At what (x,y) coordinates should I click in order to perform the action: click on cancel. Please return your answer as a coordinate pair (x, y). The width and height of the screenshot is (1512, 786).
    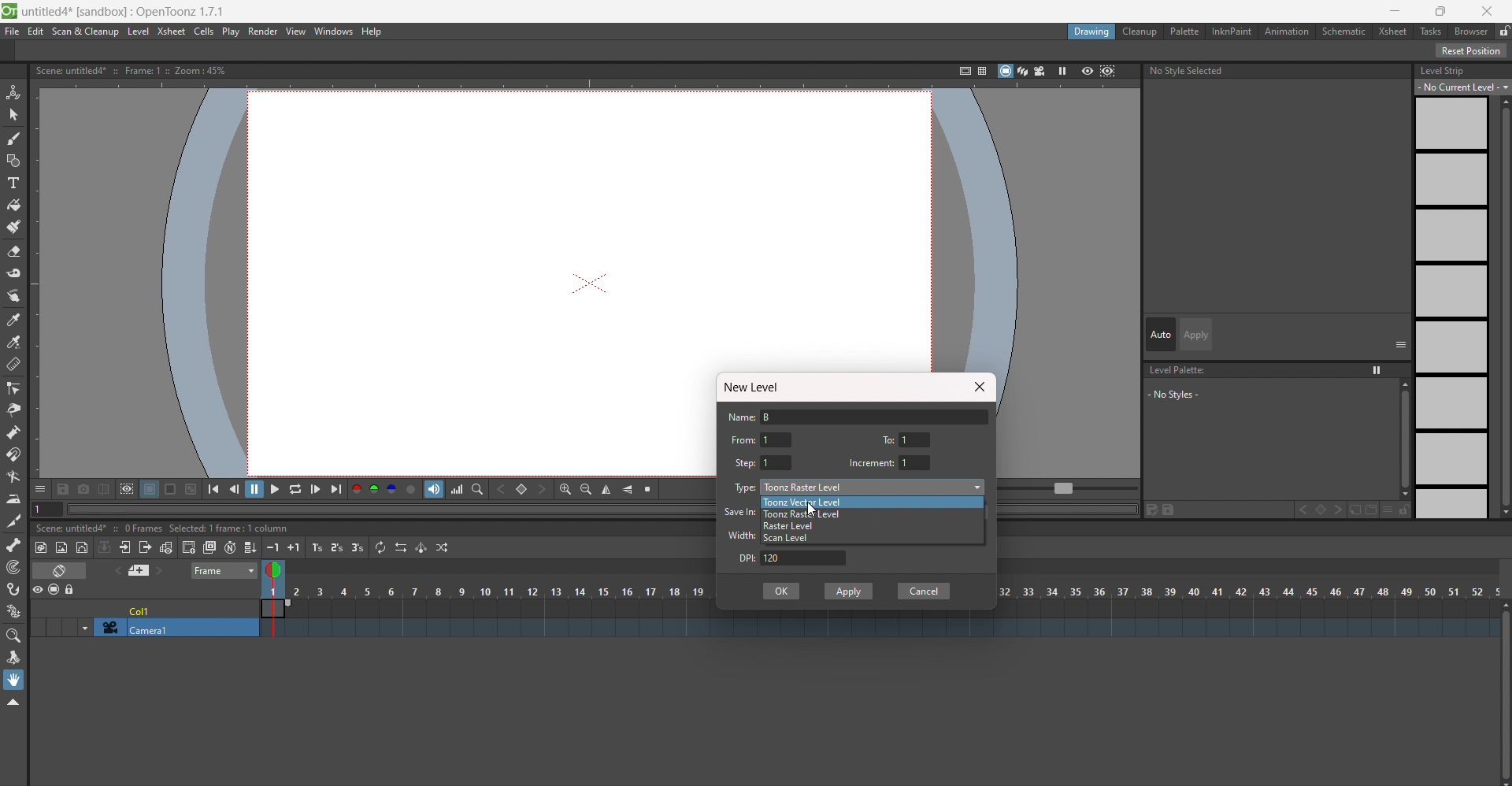
    Looking at the image, I should click on (924, 591).